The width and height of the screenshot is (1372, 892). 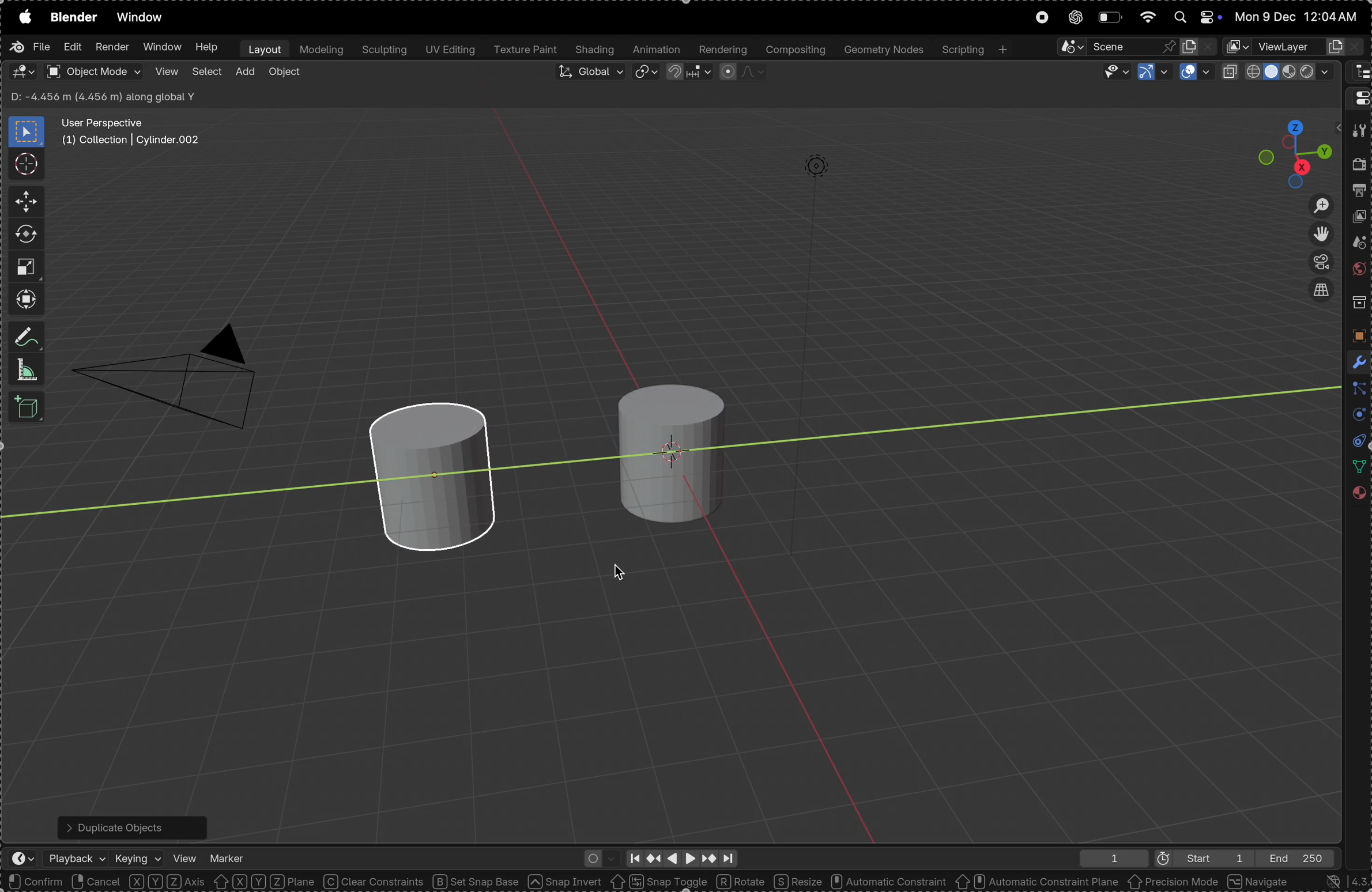 I want to click on physics constraints, so click(x=1355, y=442).